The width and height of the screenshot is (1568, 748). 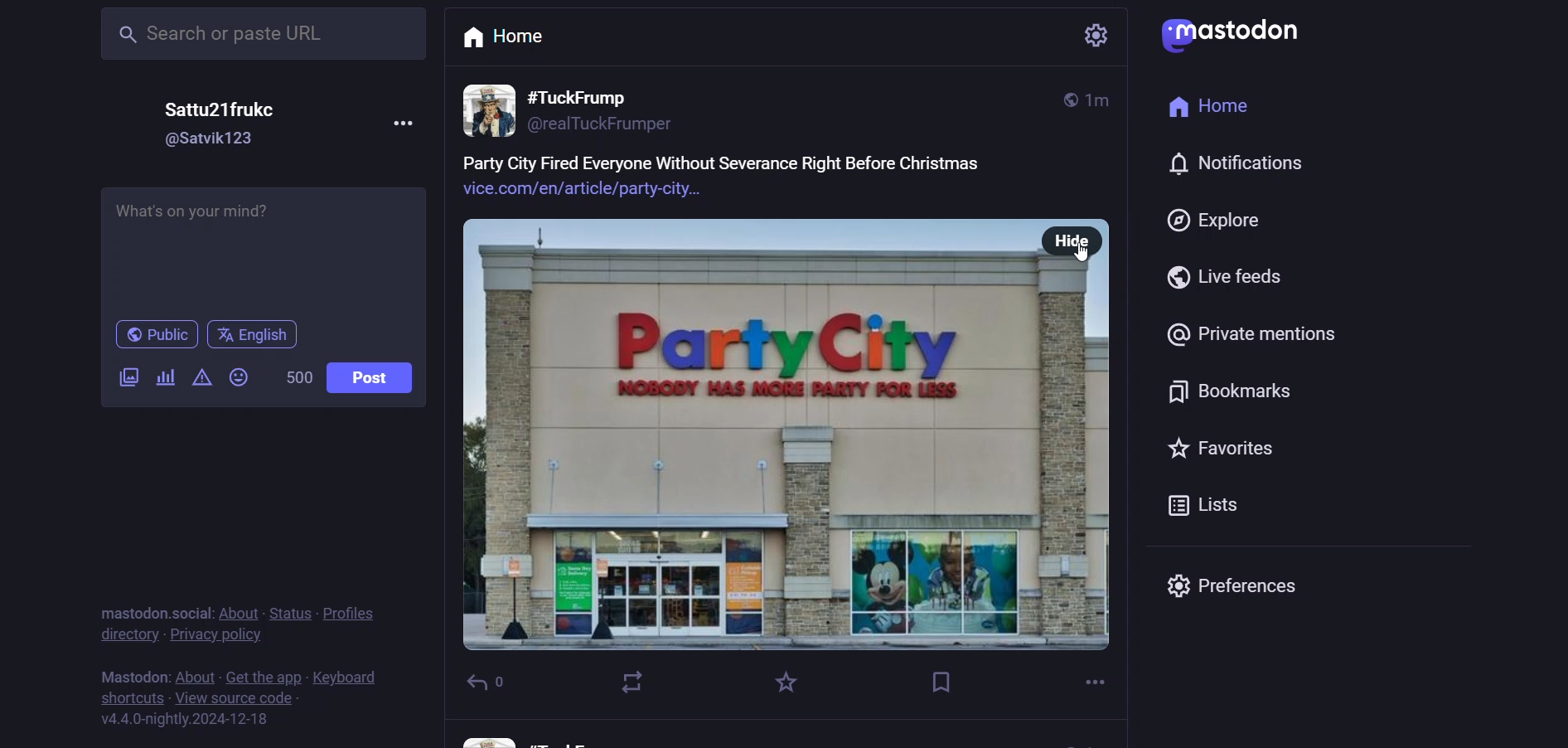 What do you see at coordinates (1252, 170) in the screenshot?
I see `notification` at bounding box center [1252, 170].